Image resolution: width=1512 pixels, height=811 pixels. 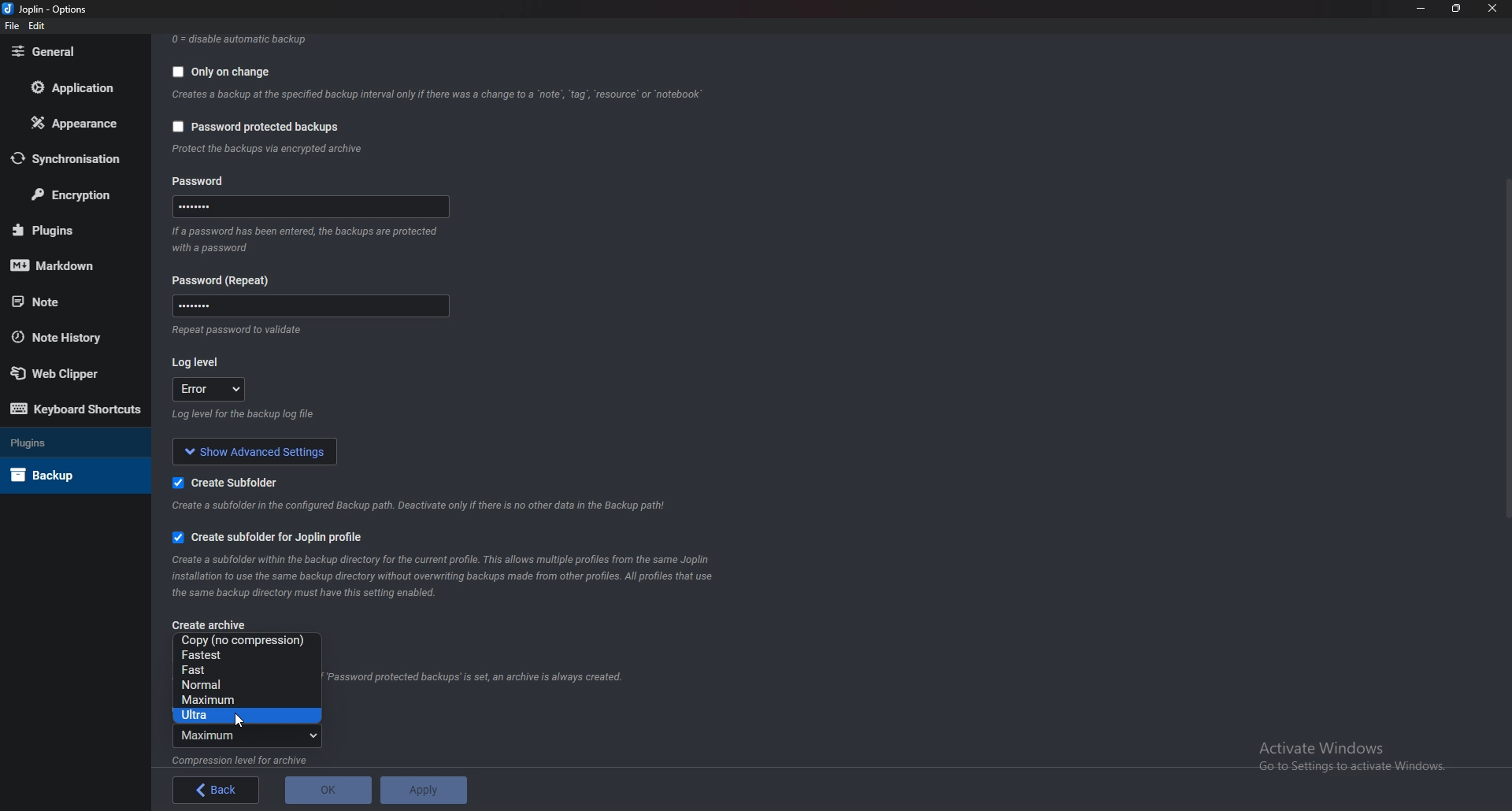 I want to click on edit, so click(x=39, y=26).